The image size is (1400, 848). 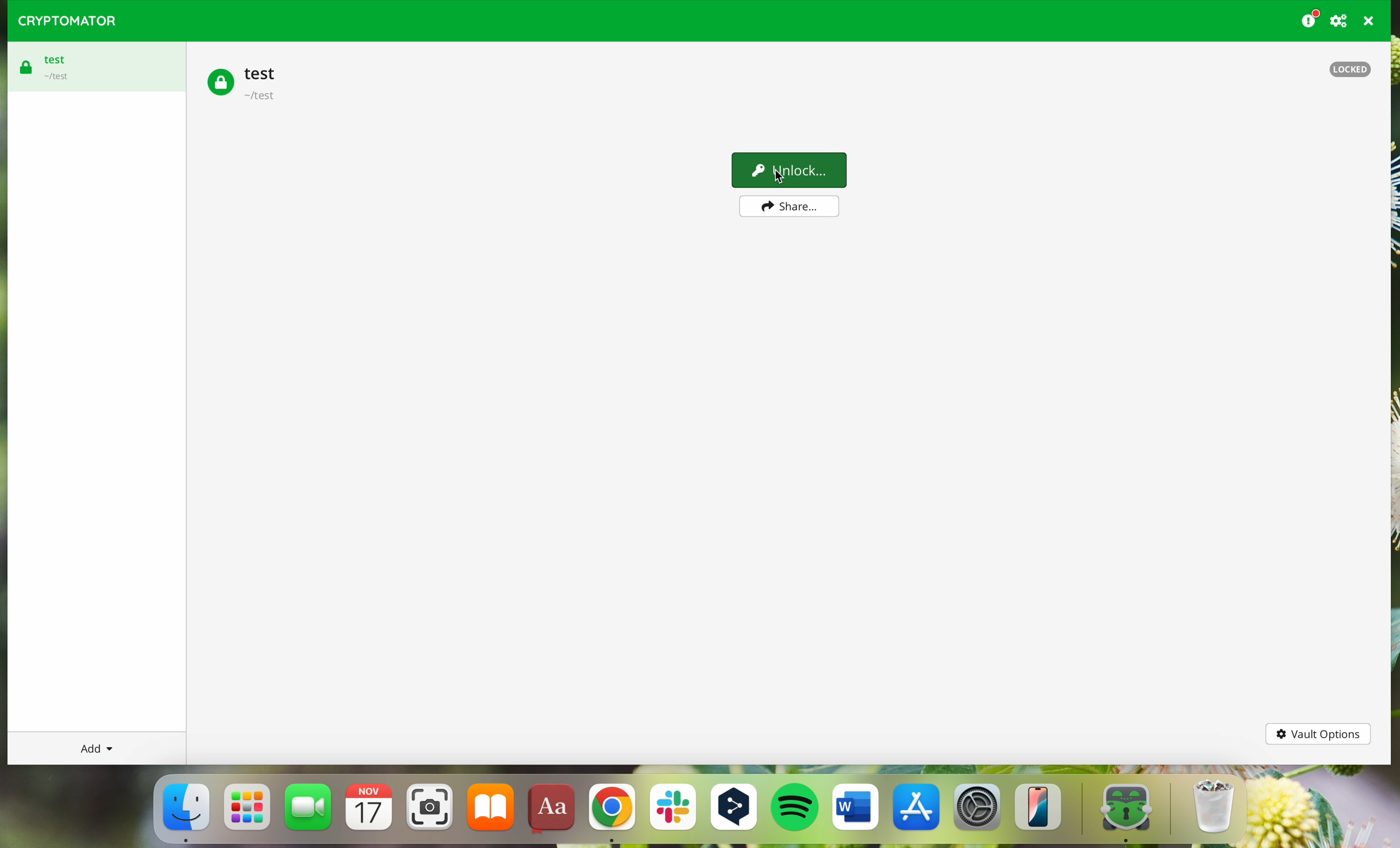 I want to click on iBooks, so click(x=491, y=811).